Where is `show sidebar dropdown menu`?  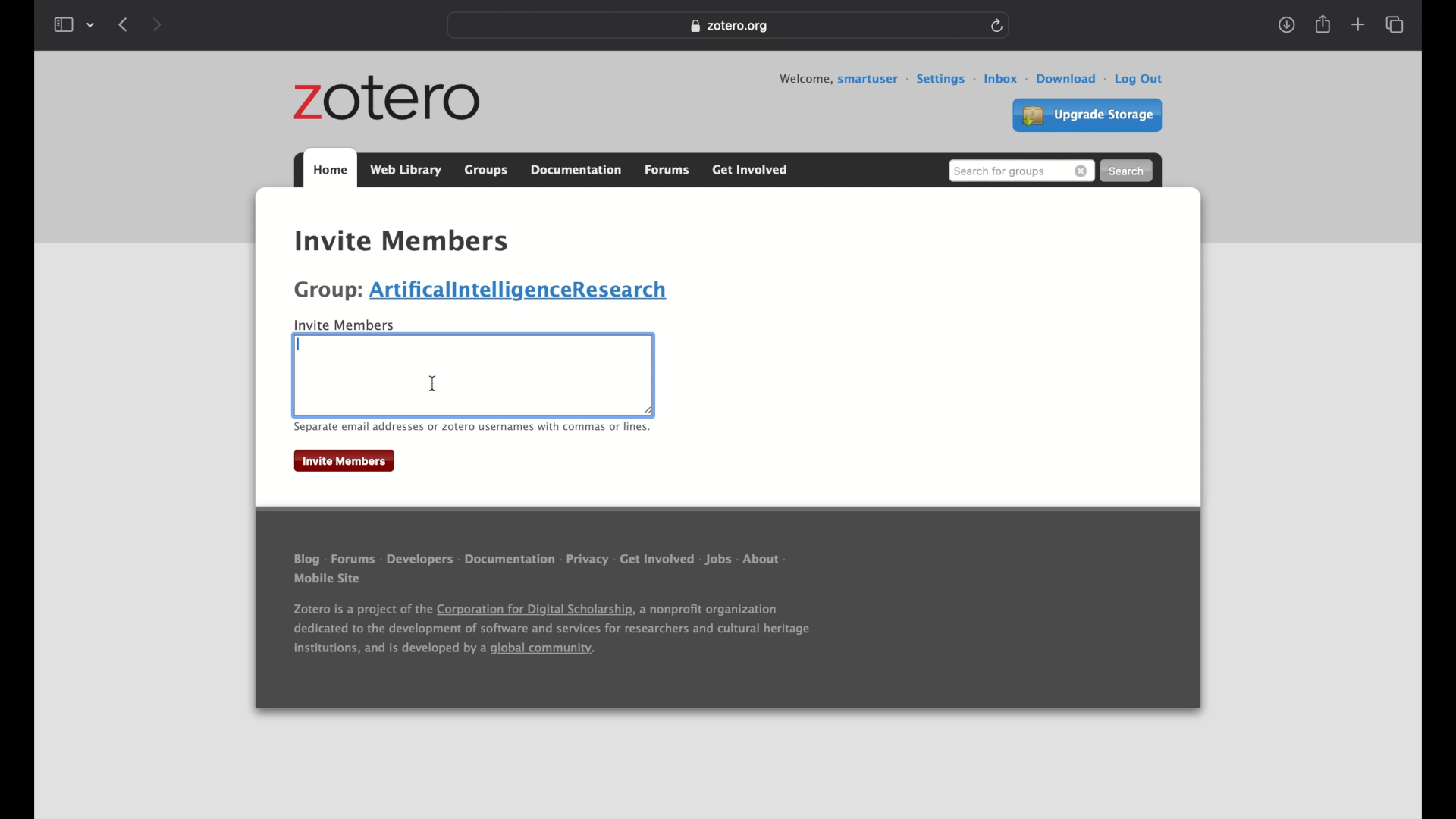
show sidebar dropdown menu is located at coordinates (74, 25).